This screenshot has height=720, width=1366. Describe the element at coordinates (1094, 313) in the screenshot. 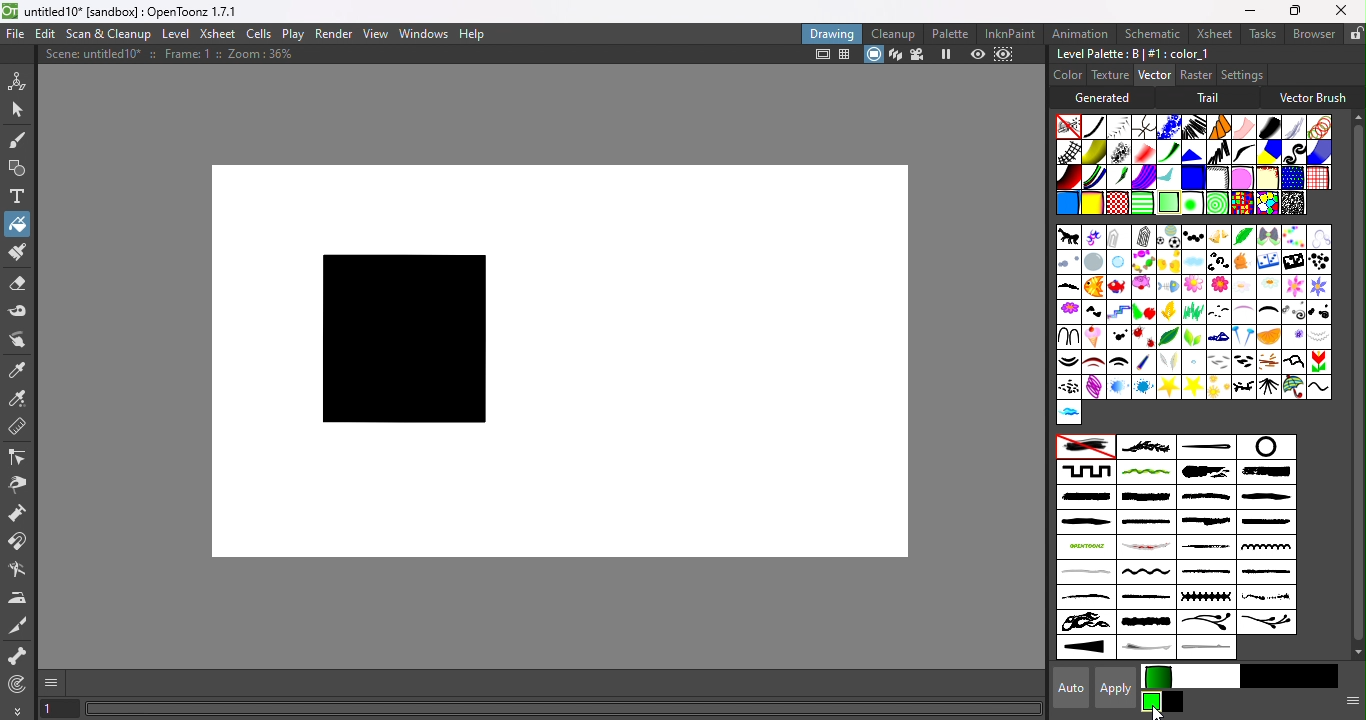

I see `feet` at that location.